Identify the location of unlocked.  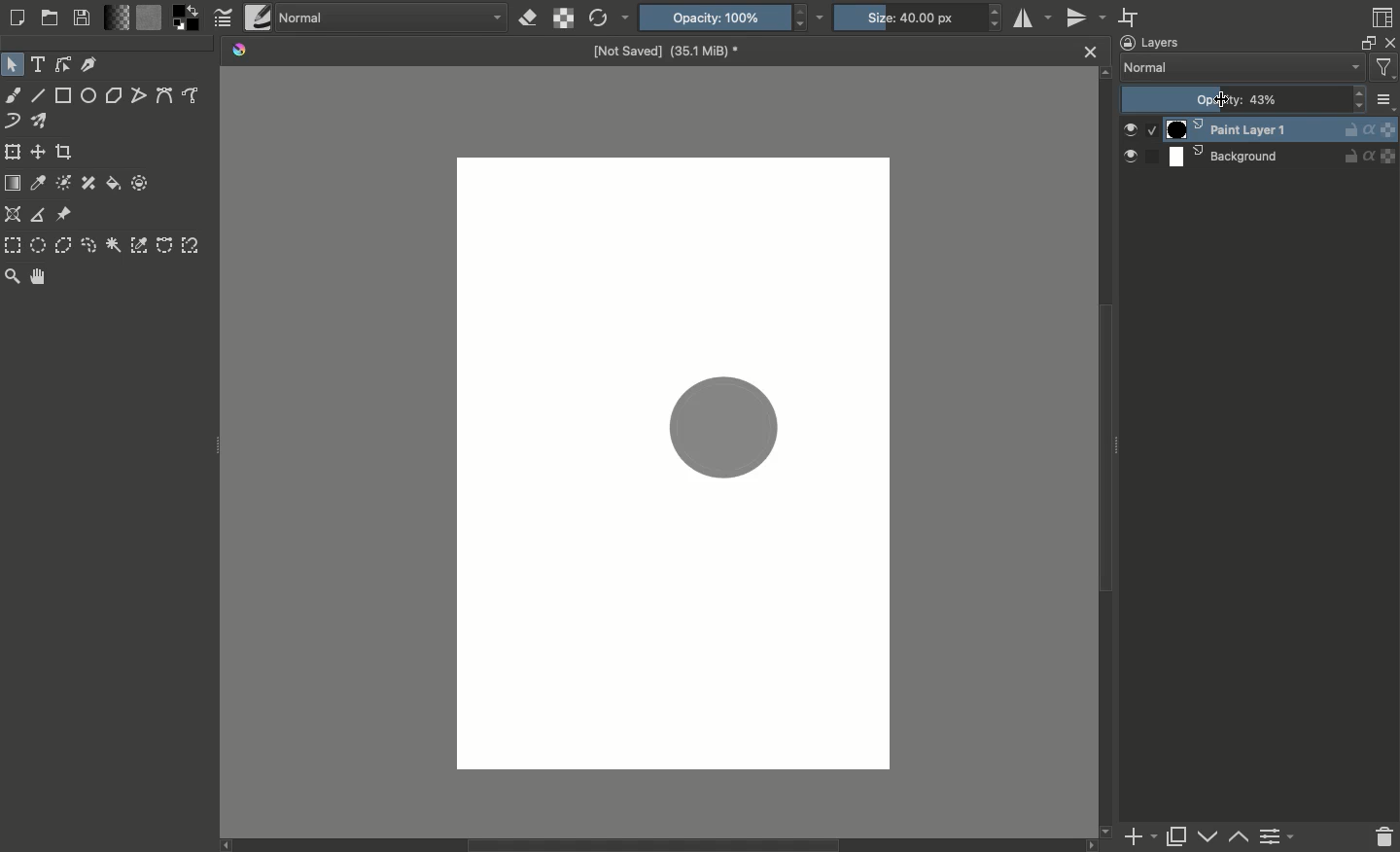
(1350, 156).